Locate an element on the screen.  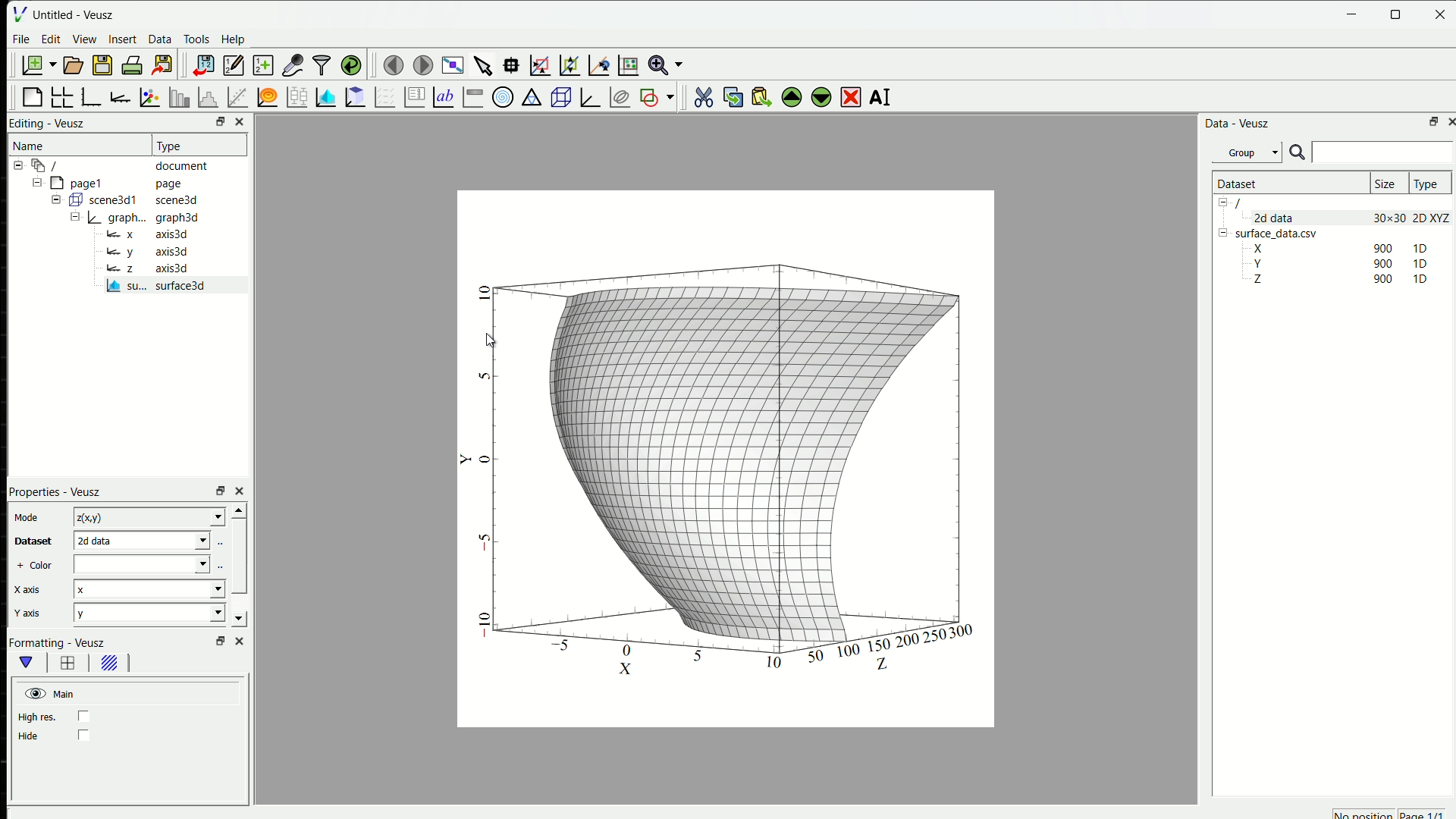
cut the selected widget is located at coordinates (704, 96).